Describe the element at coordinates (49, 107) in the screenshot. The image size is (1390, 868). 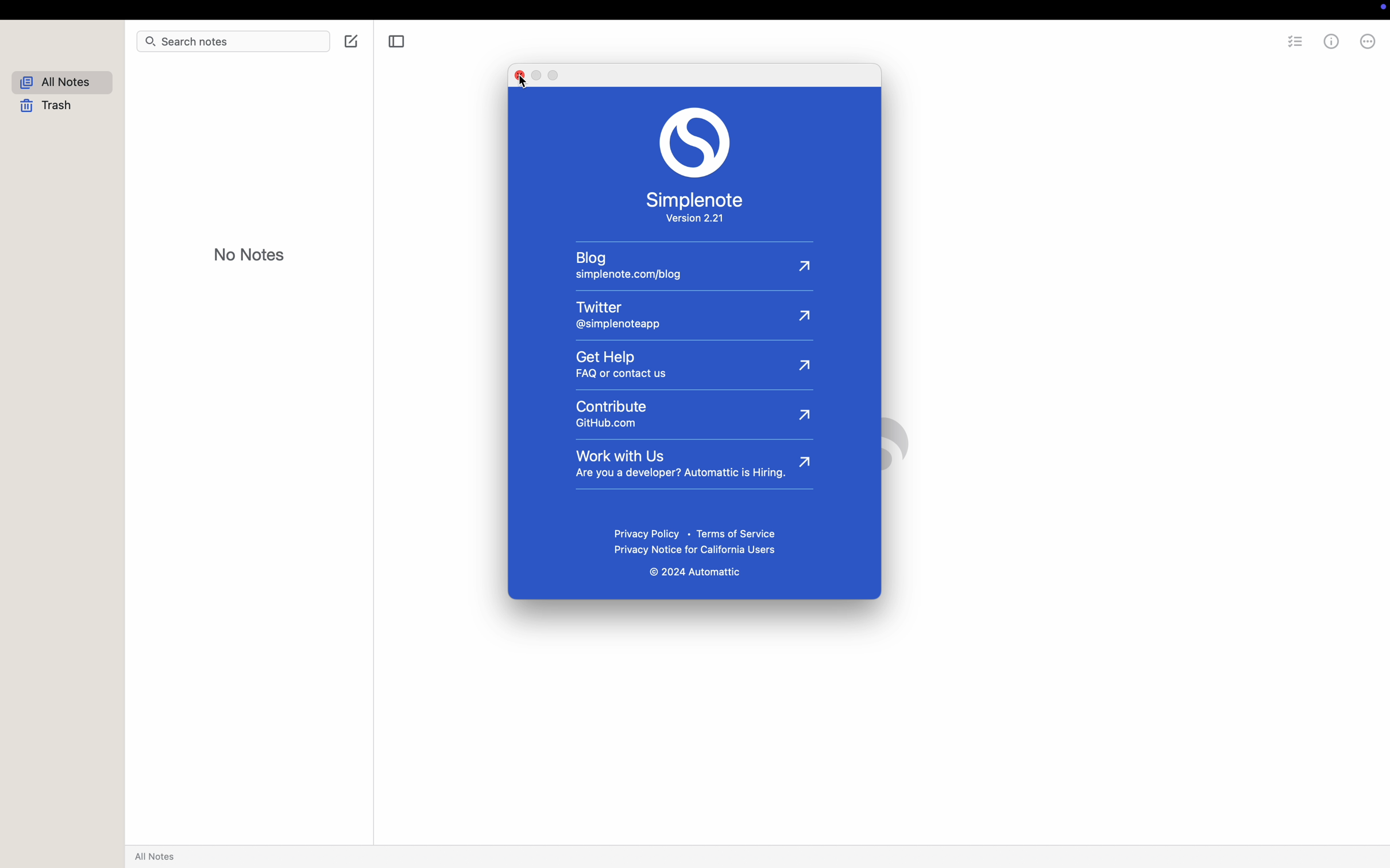
I see `trash` at that location.